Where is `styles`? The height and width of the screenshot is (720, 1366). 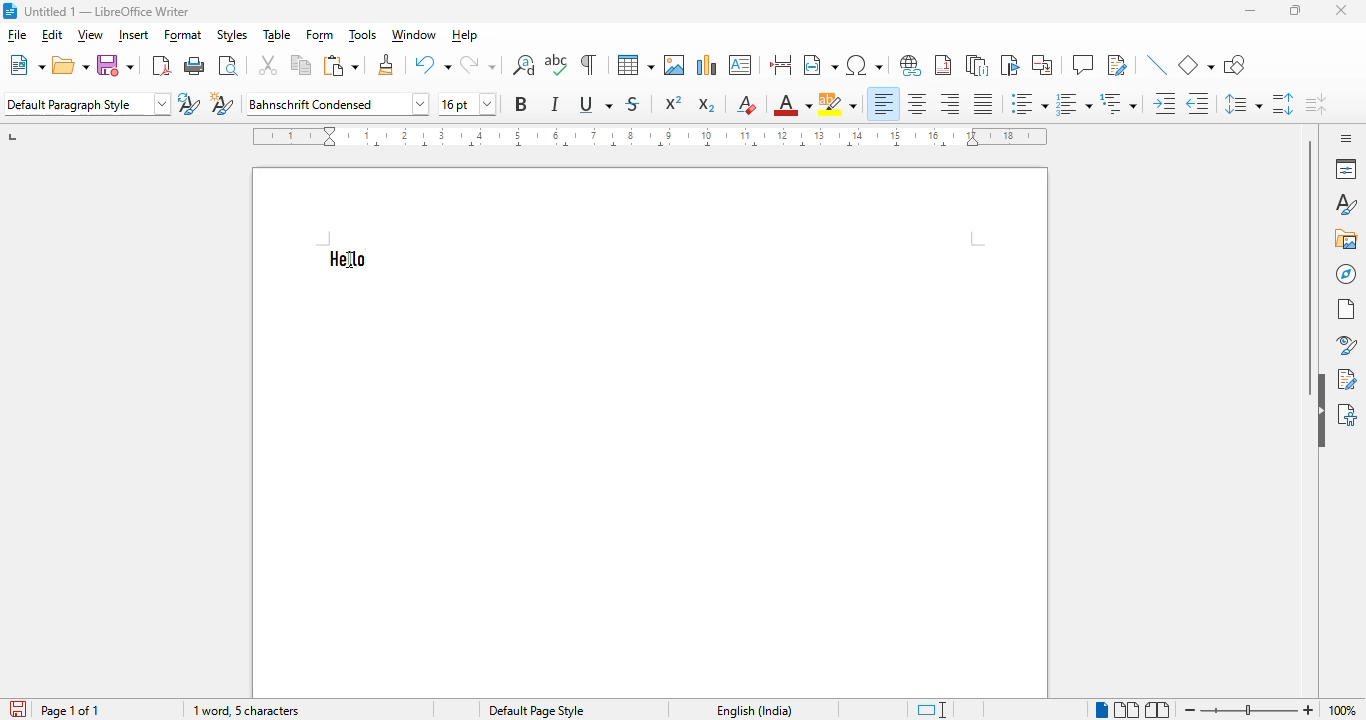 styles is located at coordinates (231, 35).